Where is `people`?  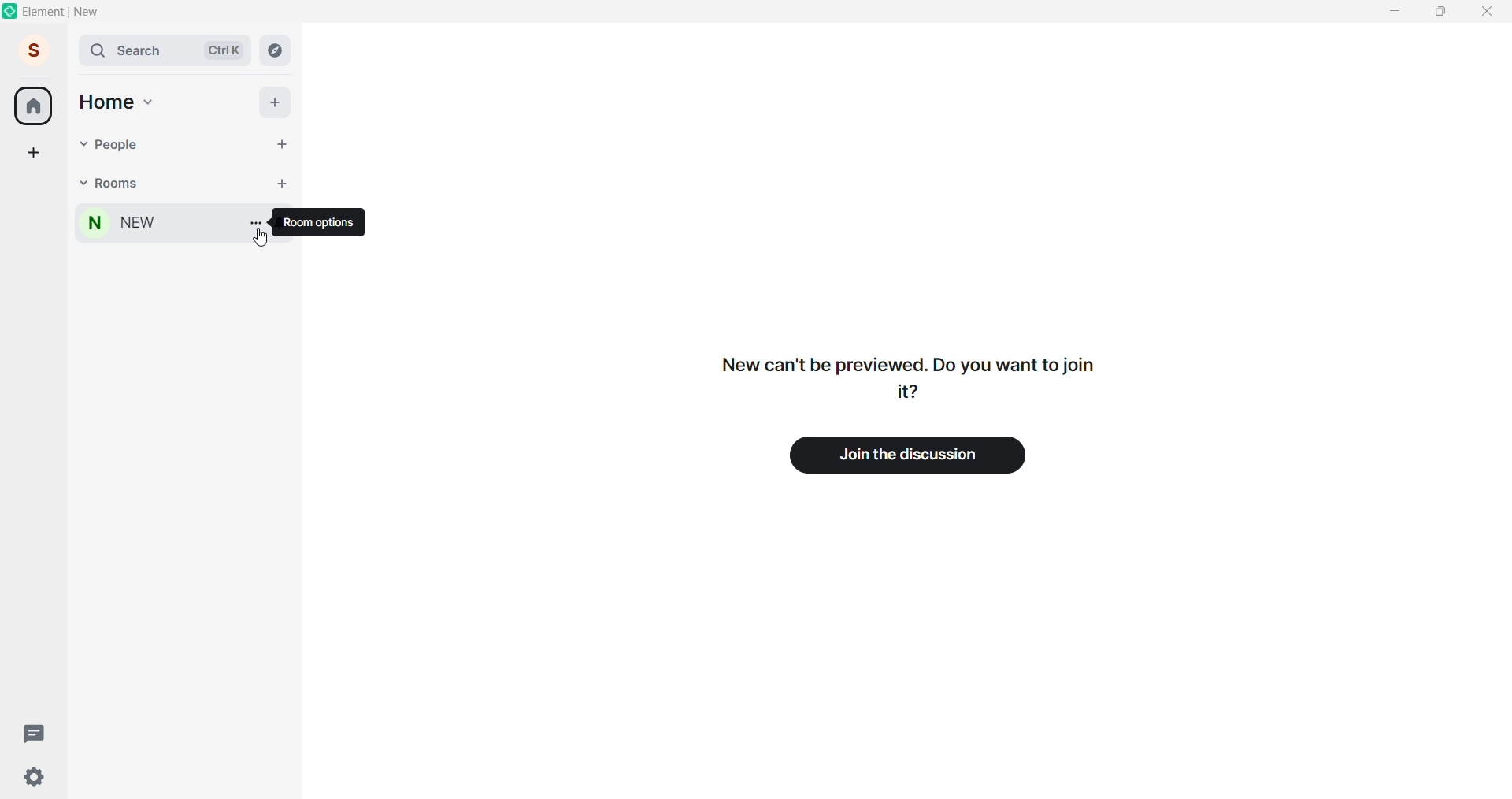 people is located at coordinates (106, 144).